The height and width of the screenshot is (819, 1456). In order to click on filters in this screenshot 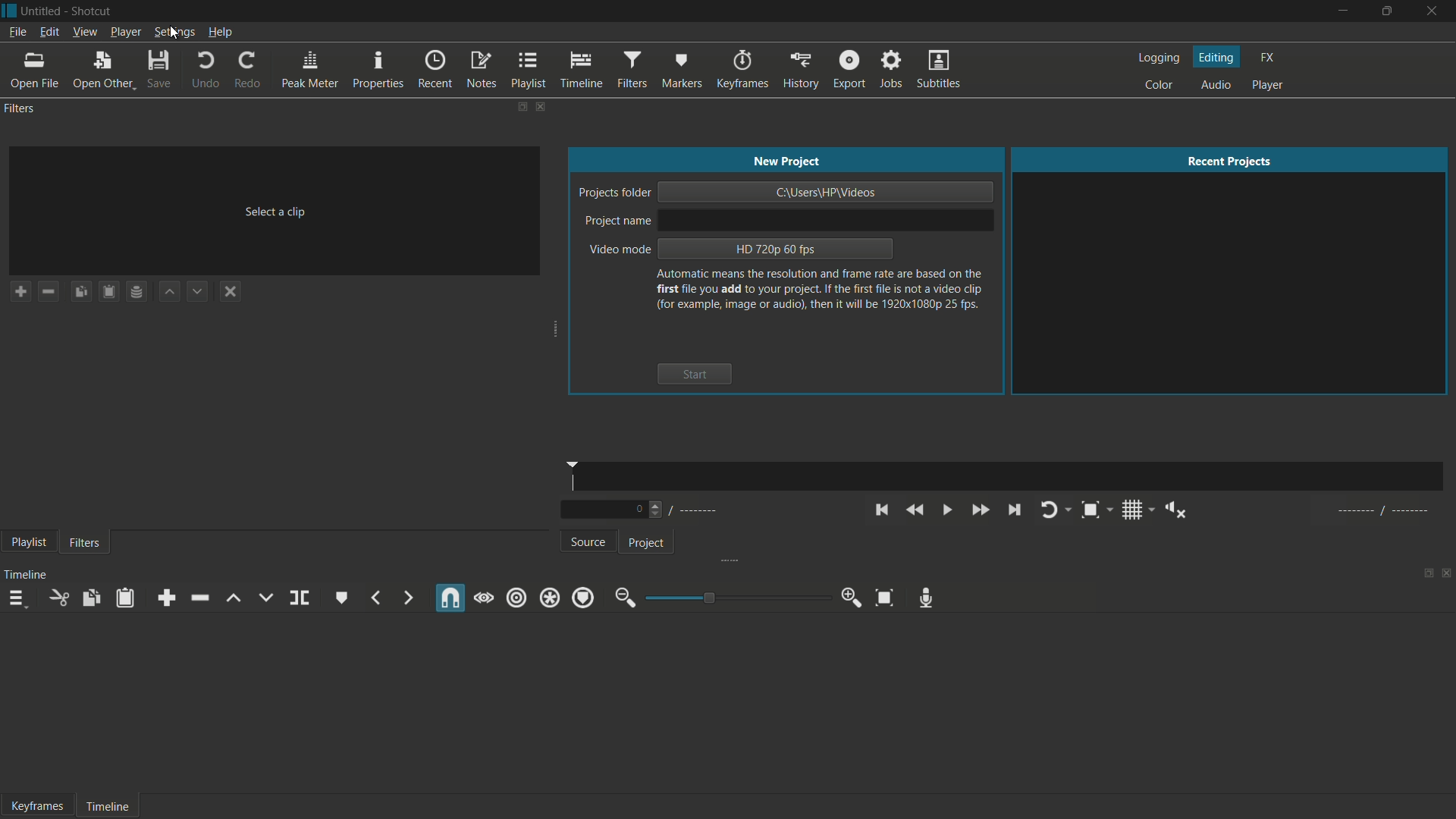, I will do `click(84, 544)`.